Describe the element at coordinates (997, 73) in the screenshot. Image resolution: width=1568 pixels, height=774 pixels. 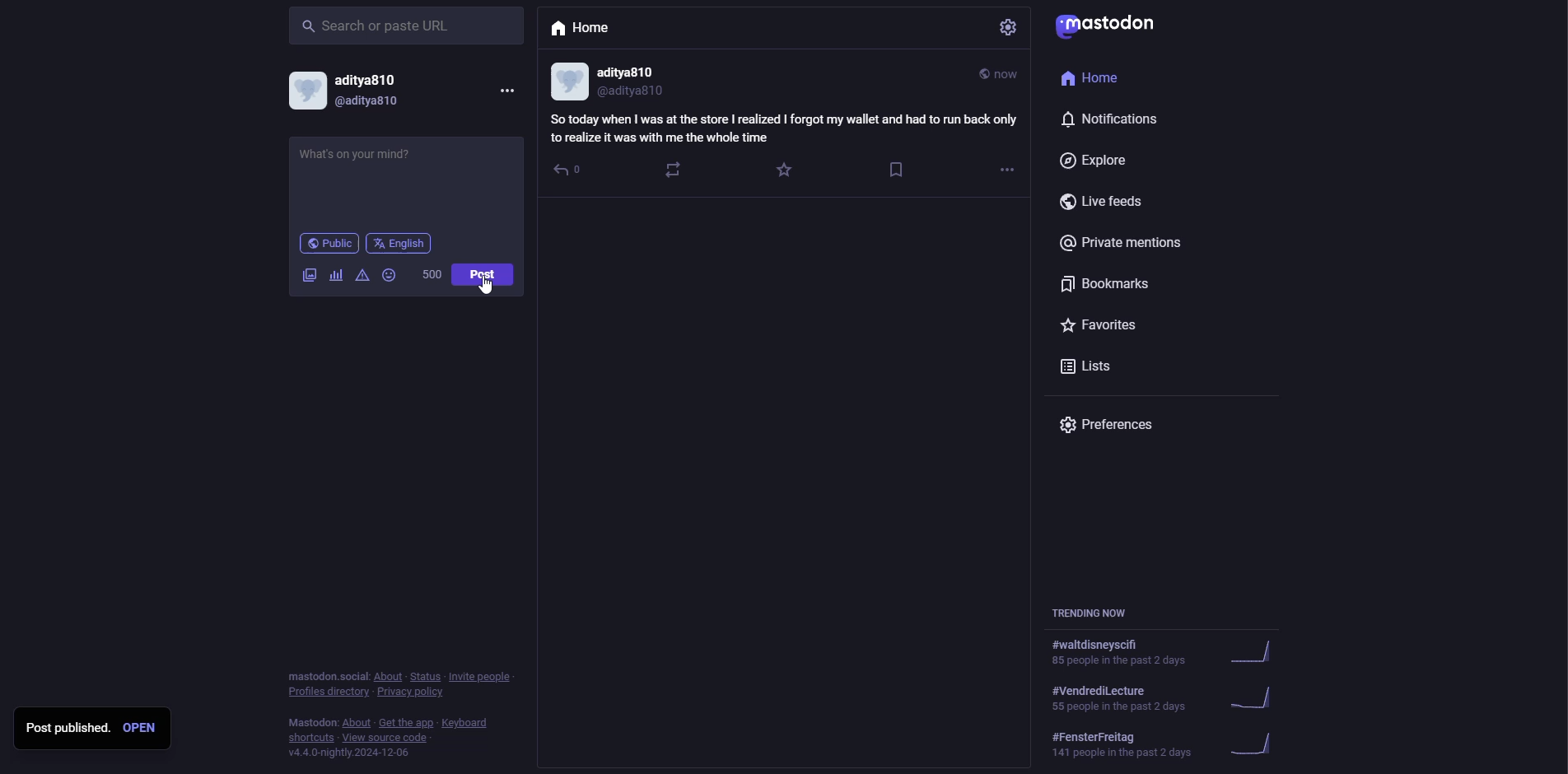
I see `now` at that location.